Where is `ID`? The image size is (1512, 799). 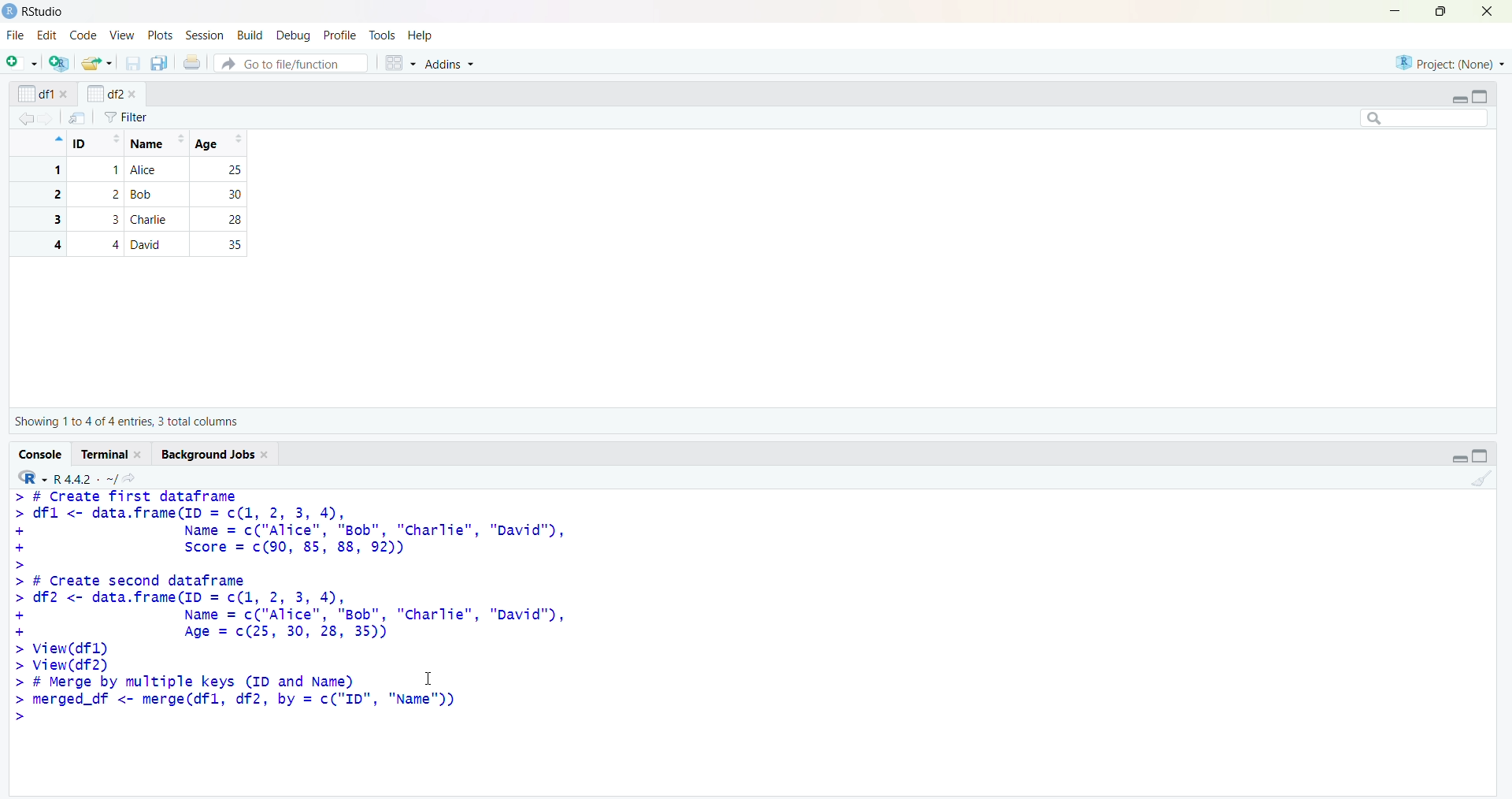
ID is located at coordinates (97, 143).